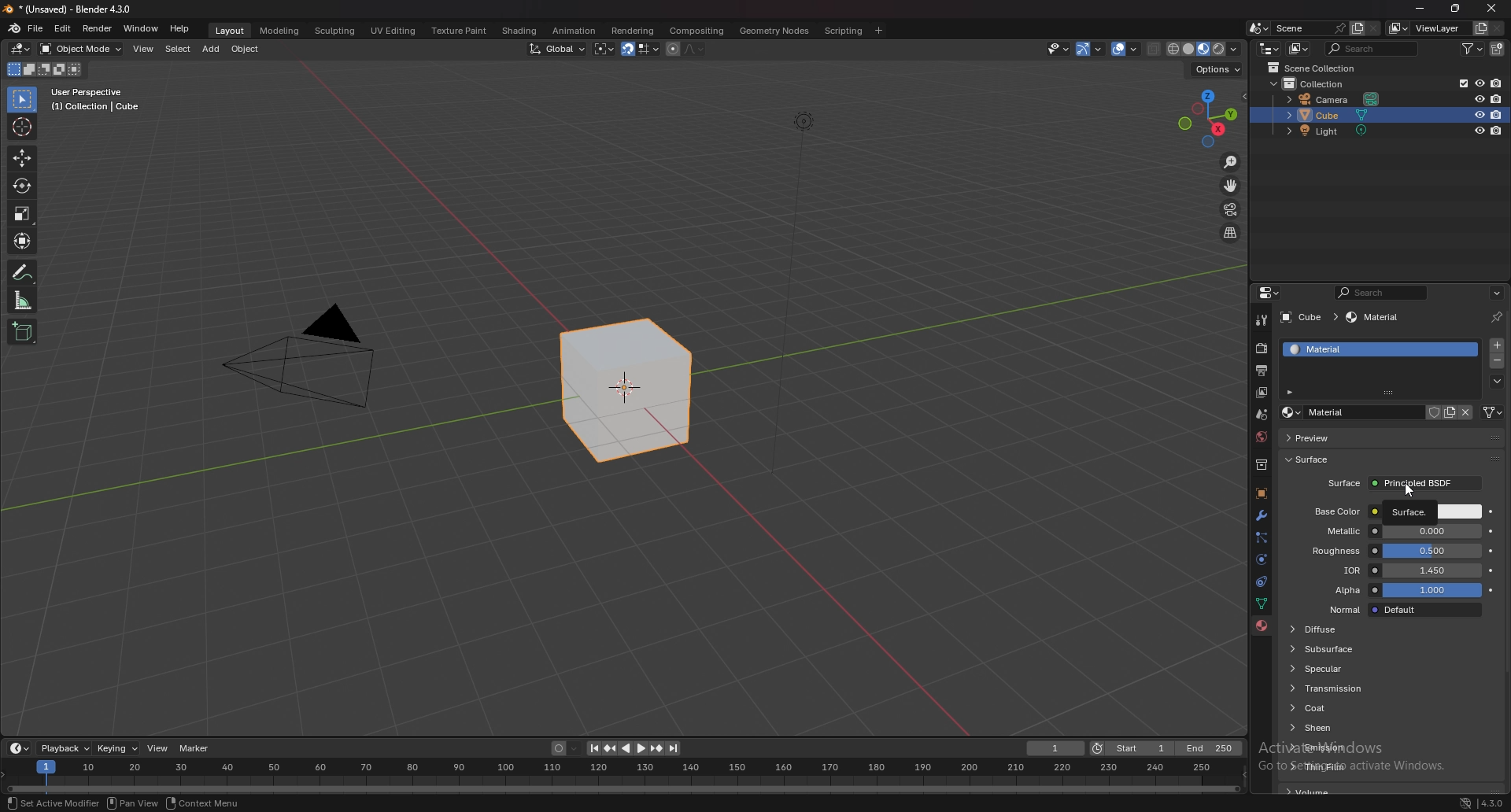  What do you see at coordinates (844, 30) in the screenshot?
I see `scripting` at bounding box center [844, 30].